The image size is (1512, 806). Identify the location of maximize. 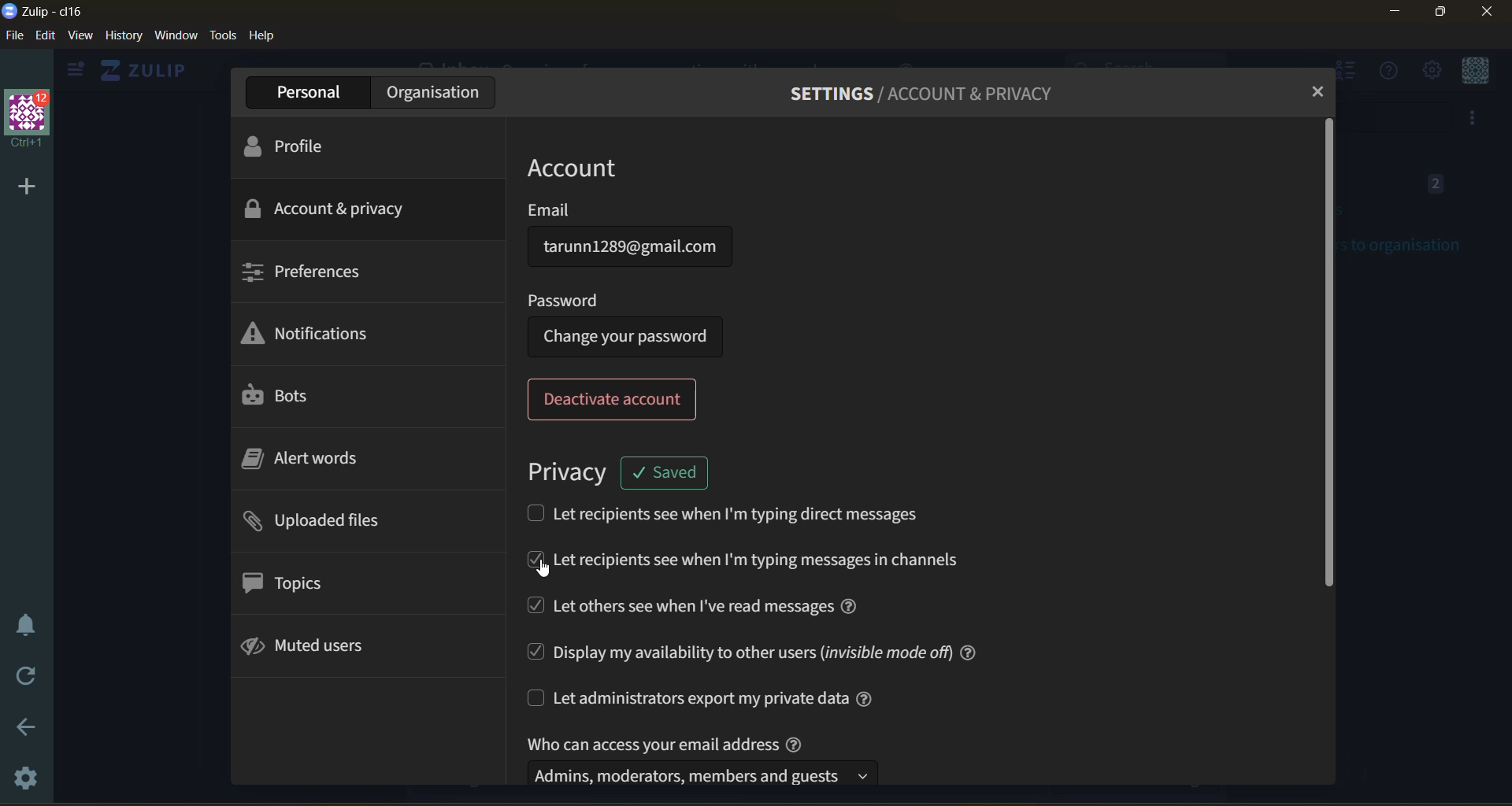
(1437, 14).